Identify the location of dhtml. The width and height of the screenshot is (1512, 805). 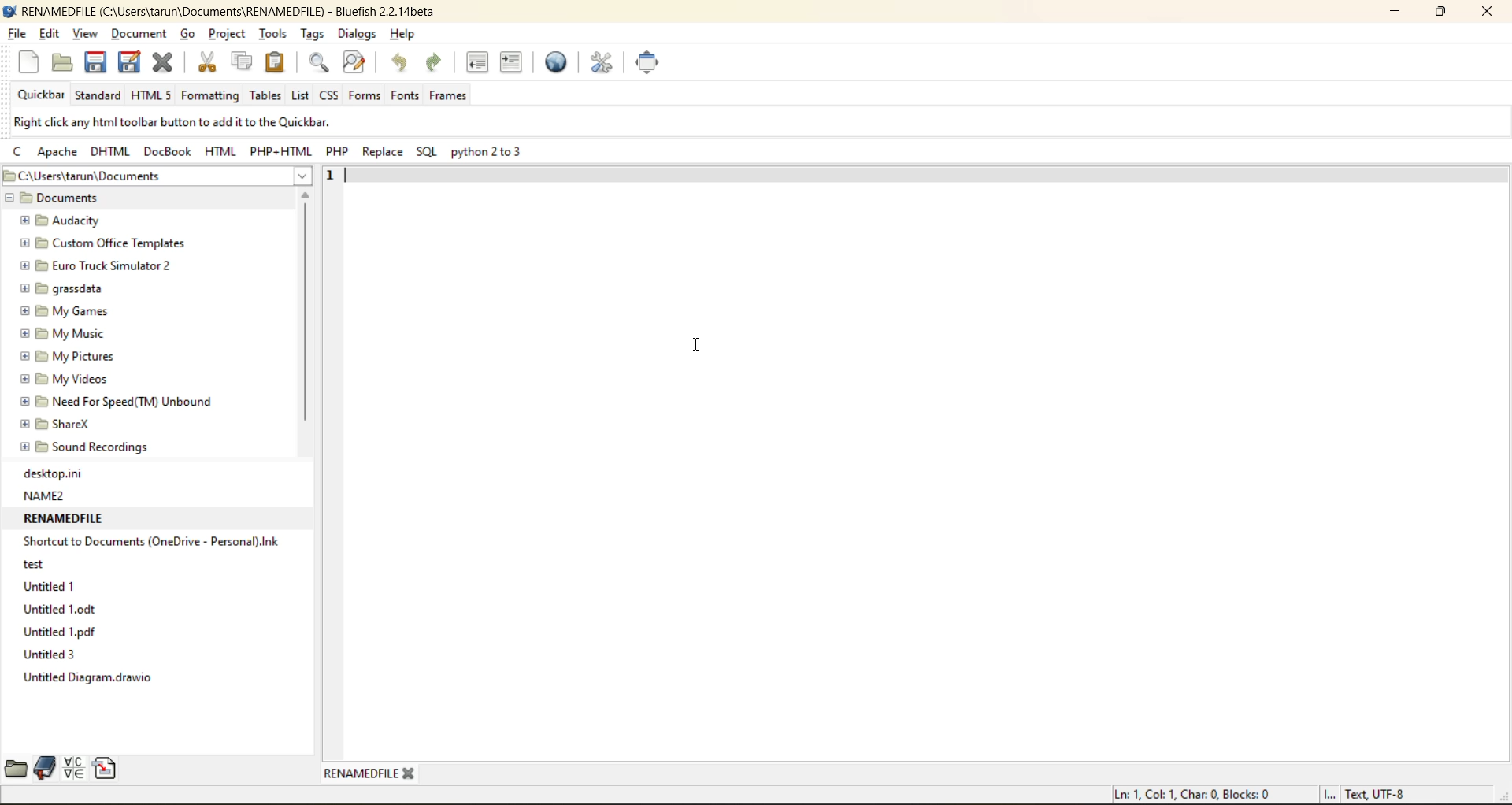
(109, 153).